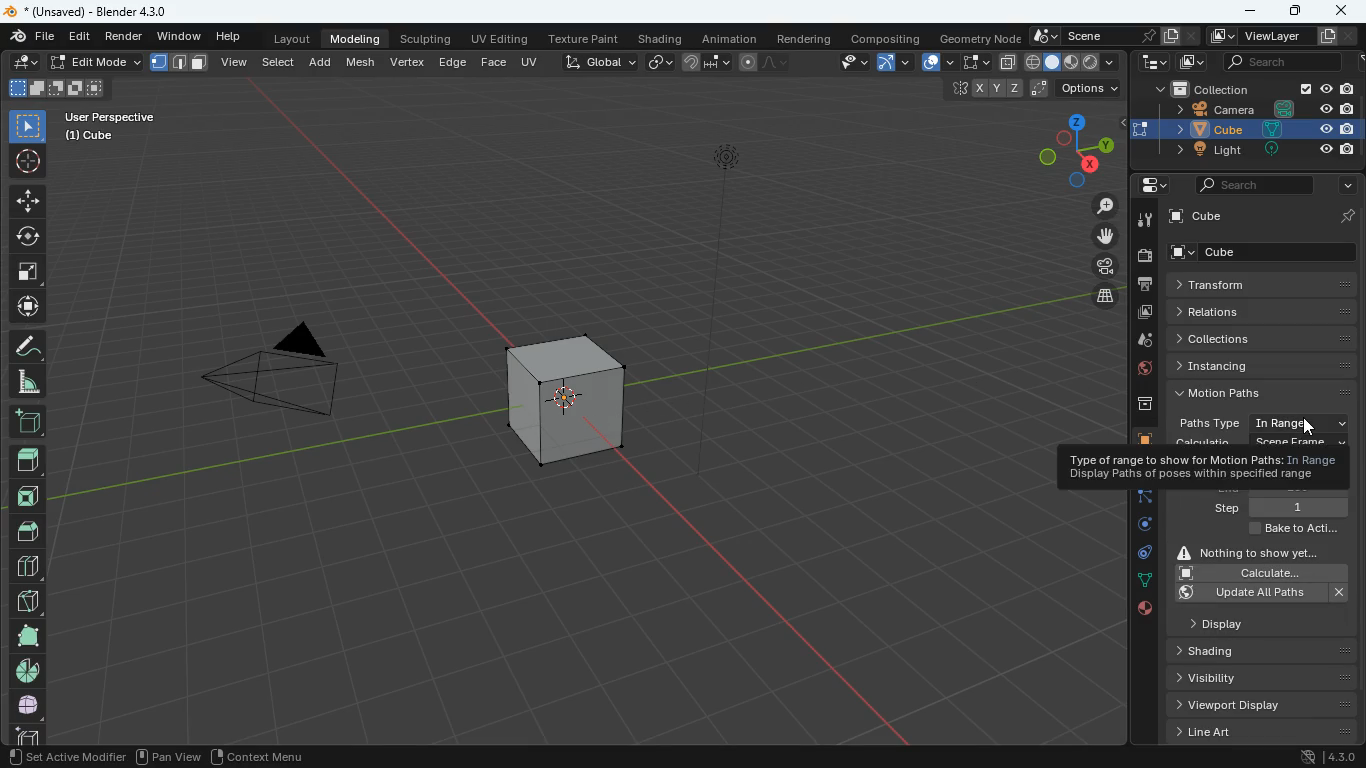  I want to click on camera, so click(268, 380).